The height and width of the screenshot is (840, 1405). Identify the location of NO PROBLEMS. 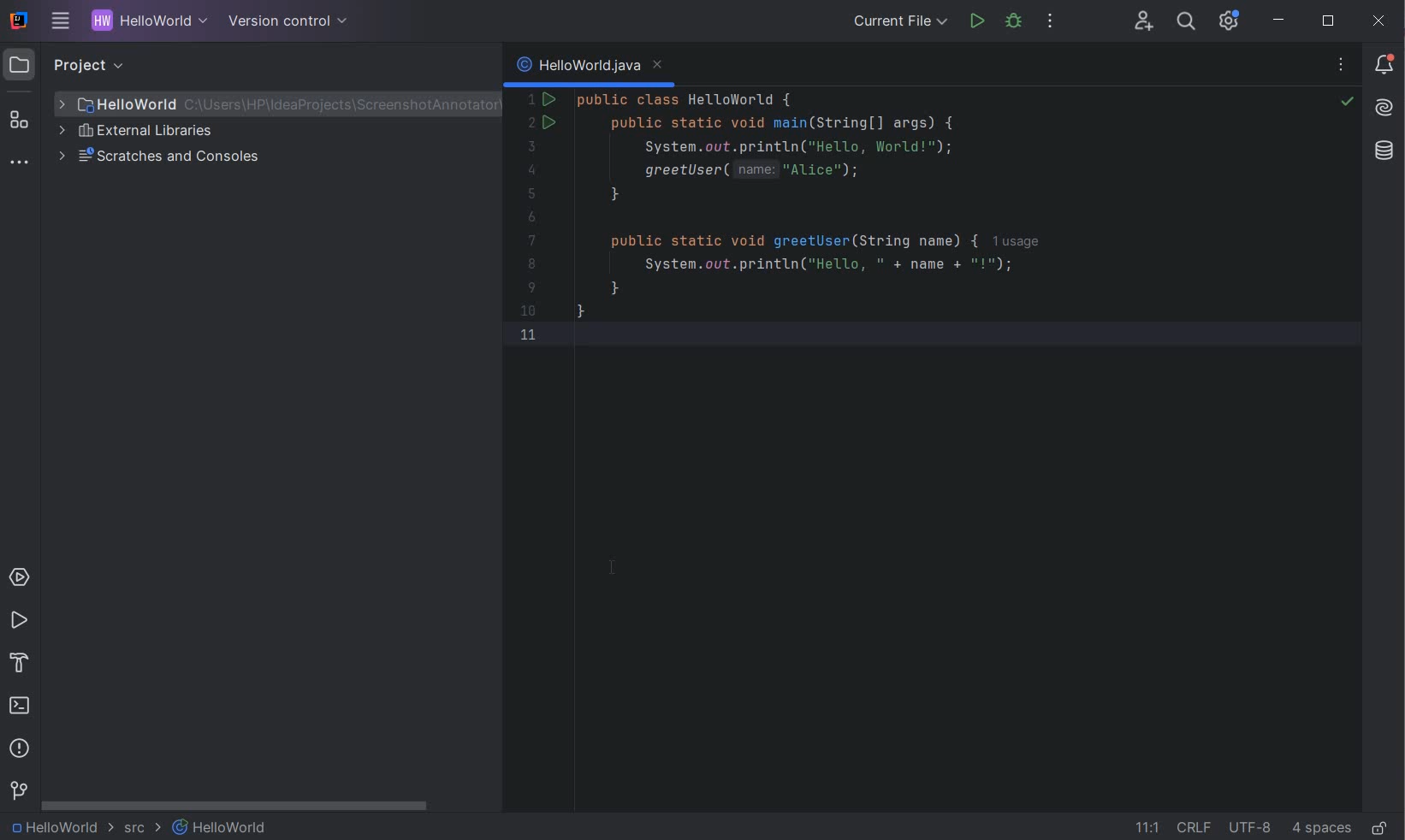
(1346, 104).